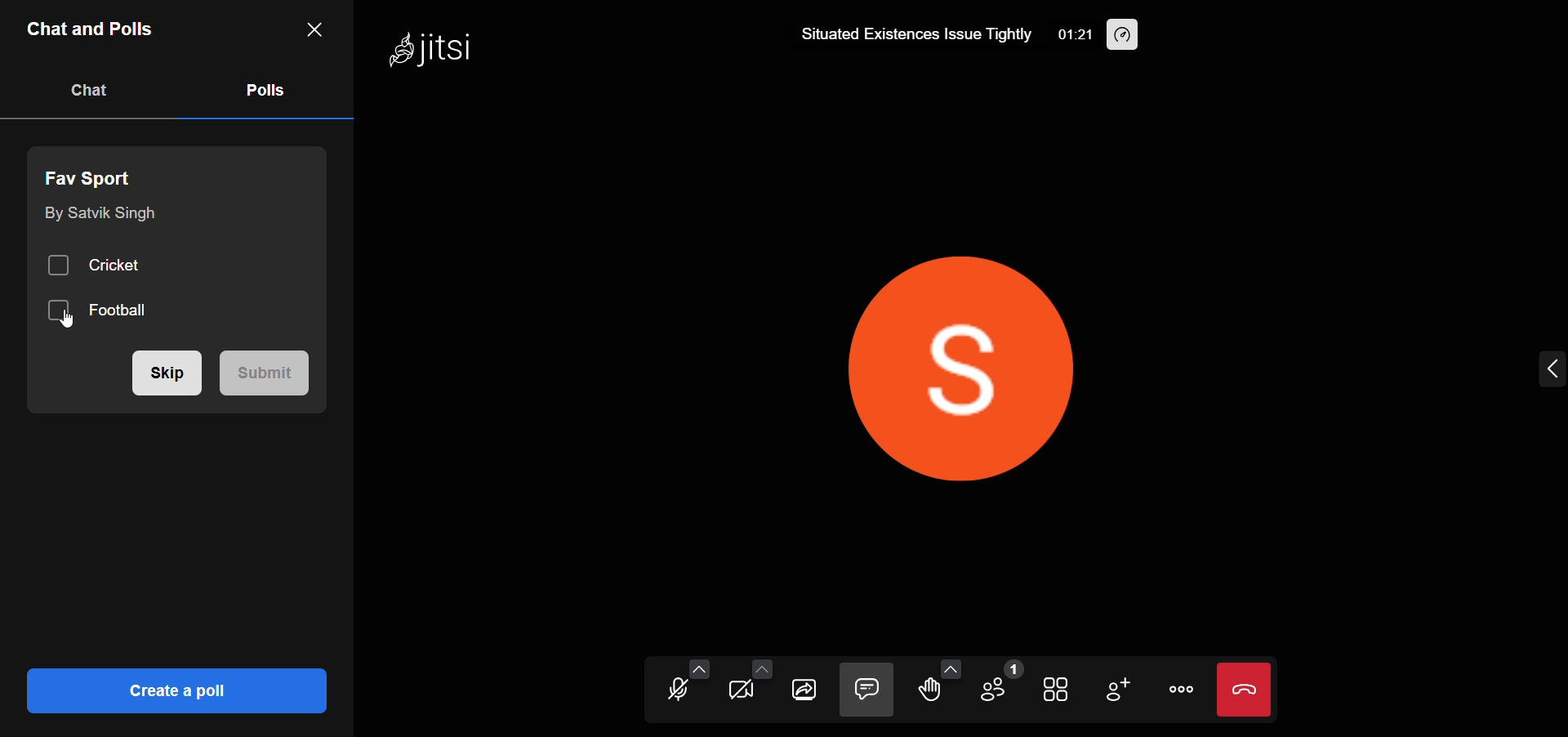 The image size is (1568, 737). I want to click on participant, so click(1001, 681).